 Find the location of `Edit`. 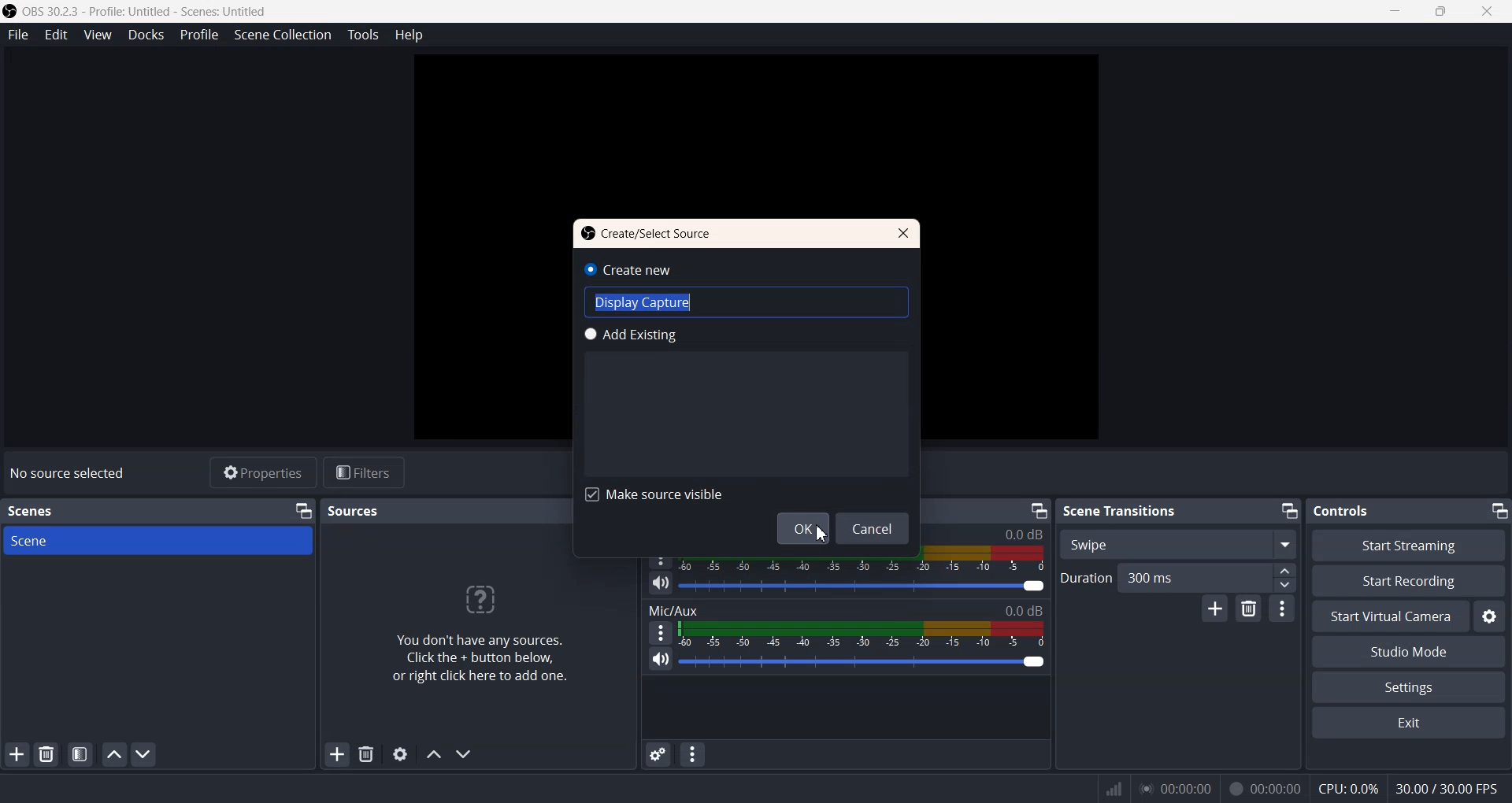

Edit is located at coordinates (56, 35).